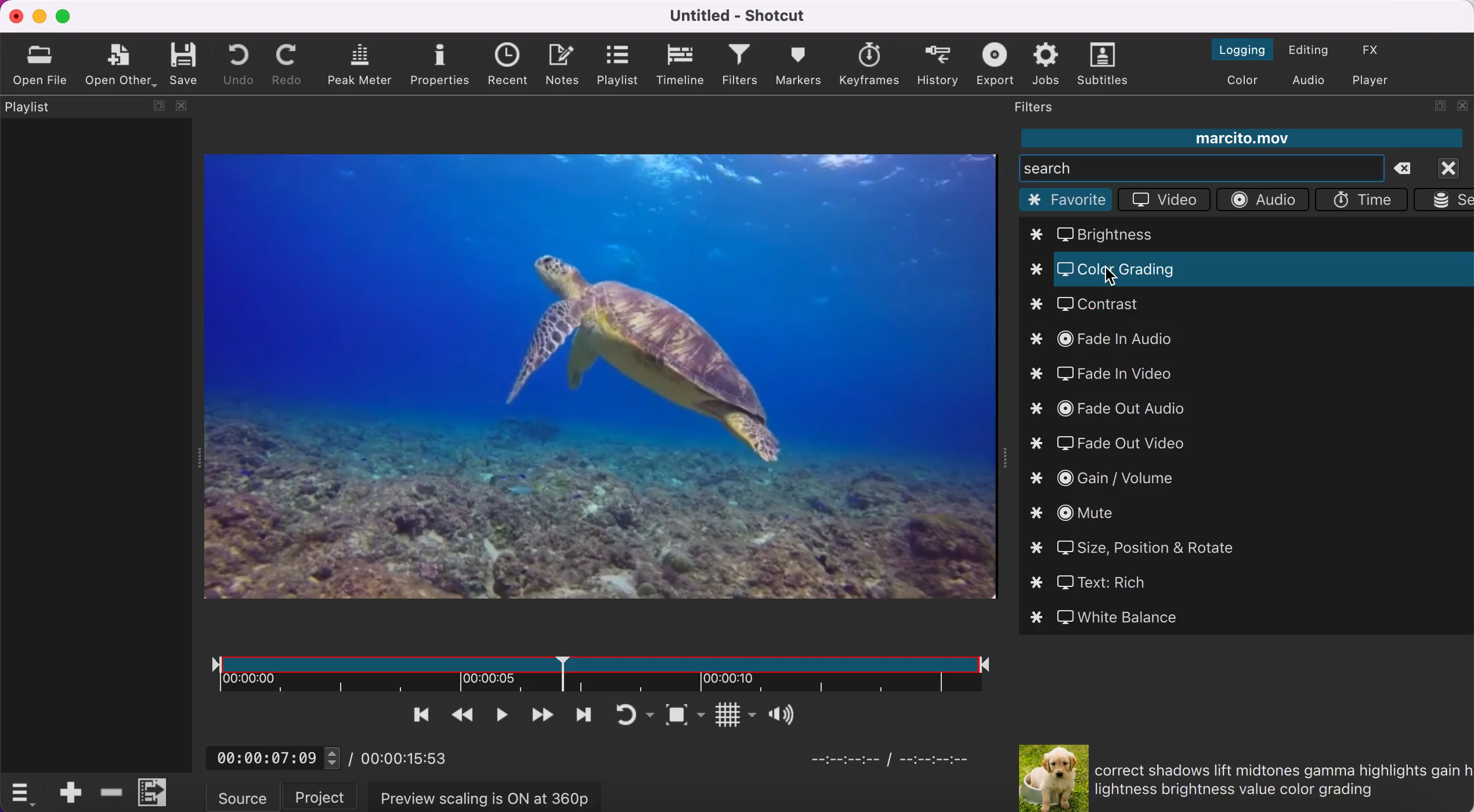 The image size is (1474, 812). I want to click on , so click(782, 713).